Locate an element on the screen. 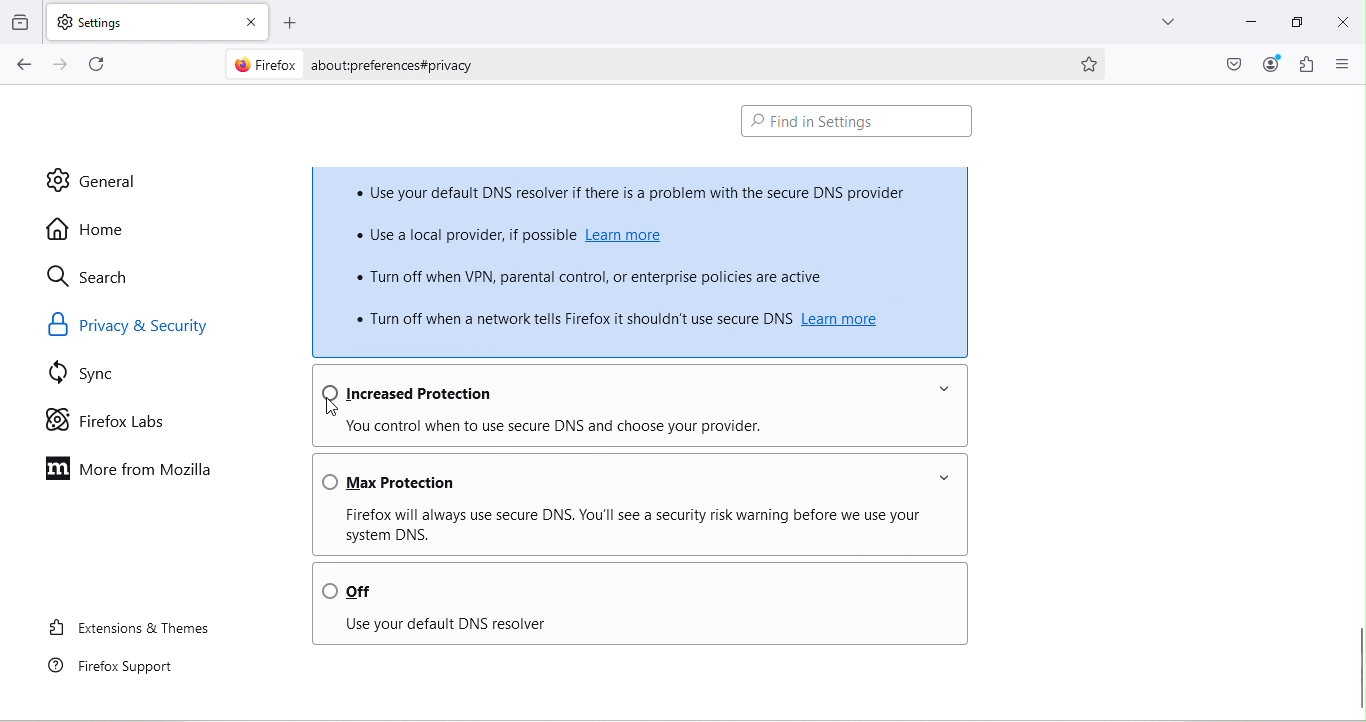 Image resolution: width=1366 pixels, height=722 pixels. * Use your default DNS resolver if there is a problem with the secure DNS provider is located at coordinates (634, 191).